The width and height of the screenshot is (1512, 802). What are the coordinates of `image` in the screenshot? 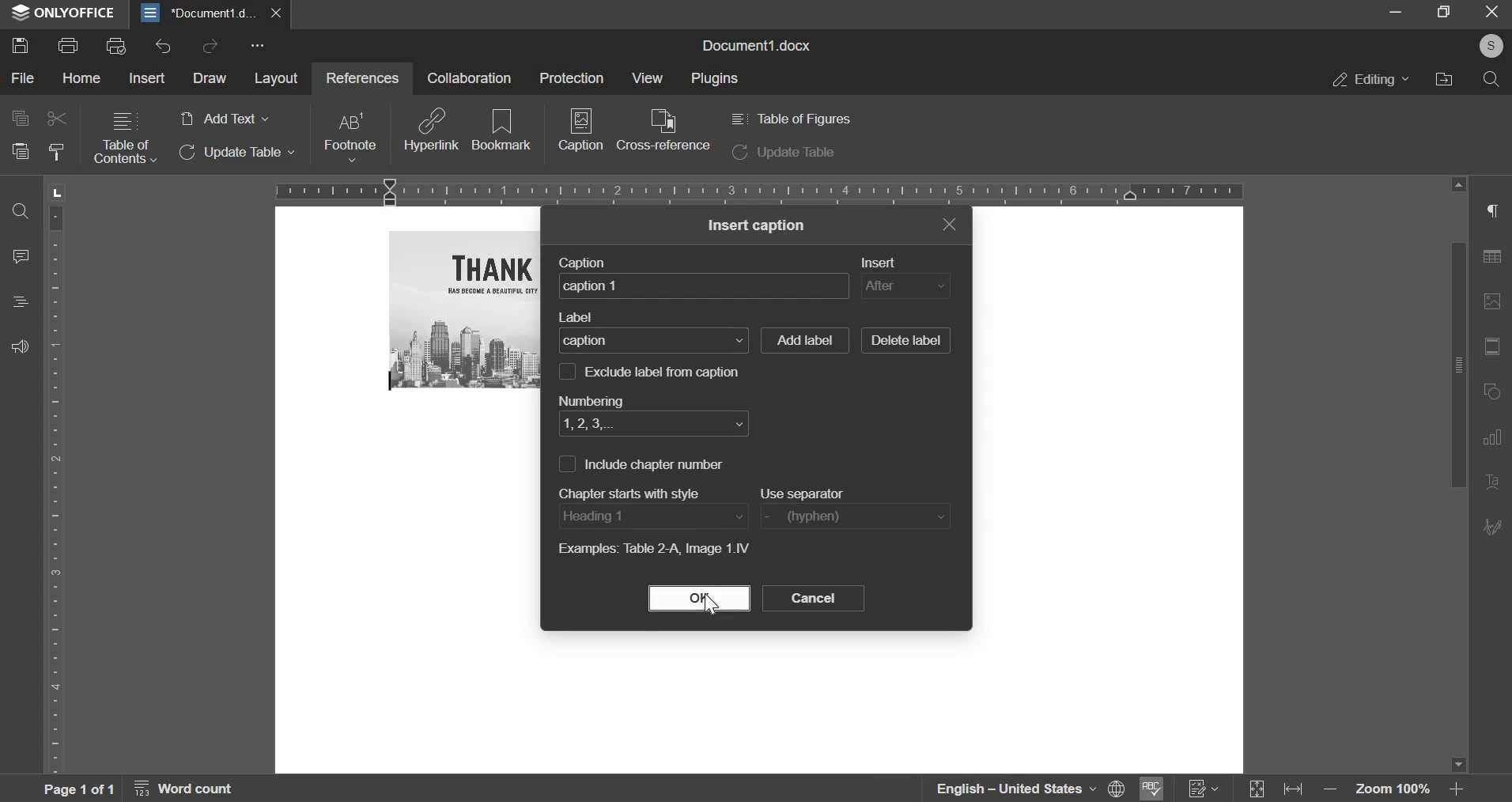 It's located at (1495, 301).